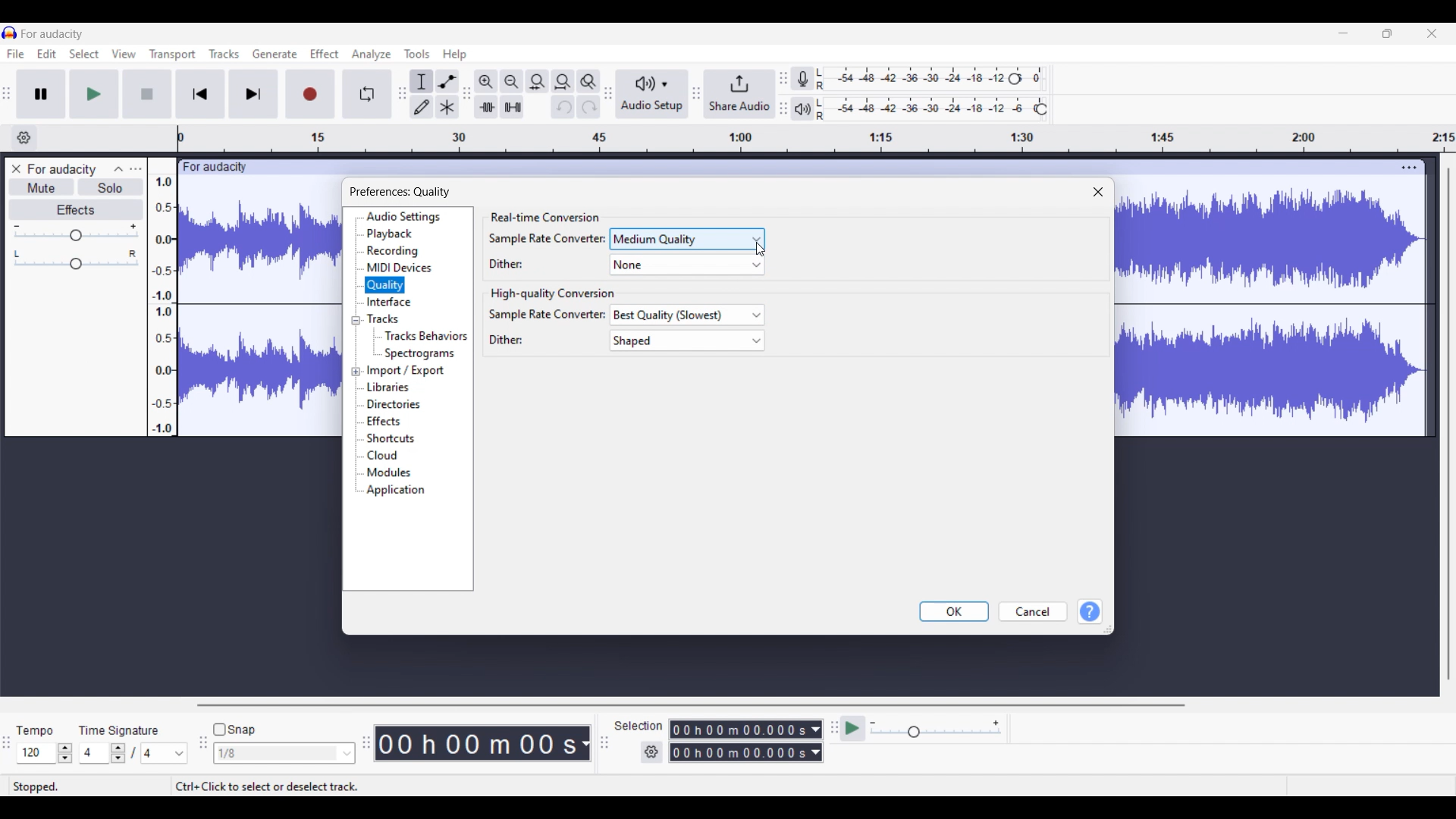 This screenshot has width=1456, height=819. Describe the element at coordinates (389, 473) in the screenshot. I see `Modules` at that location.